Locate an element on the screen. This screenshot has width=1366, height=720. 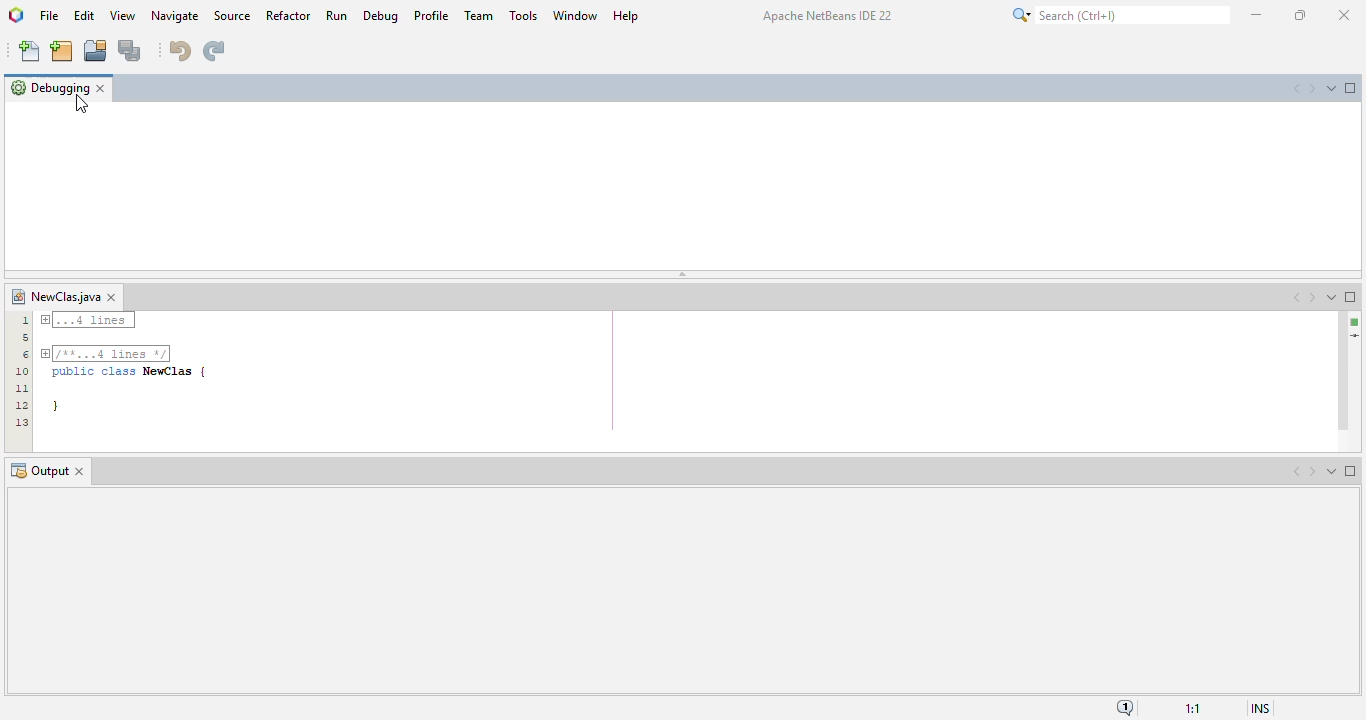
scroll documents right is located at coordinates (1312, 298).